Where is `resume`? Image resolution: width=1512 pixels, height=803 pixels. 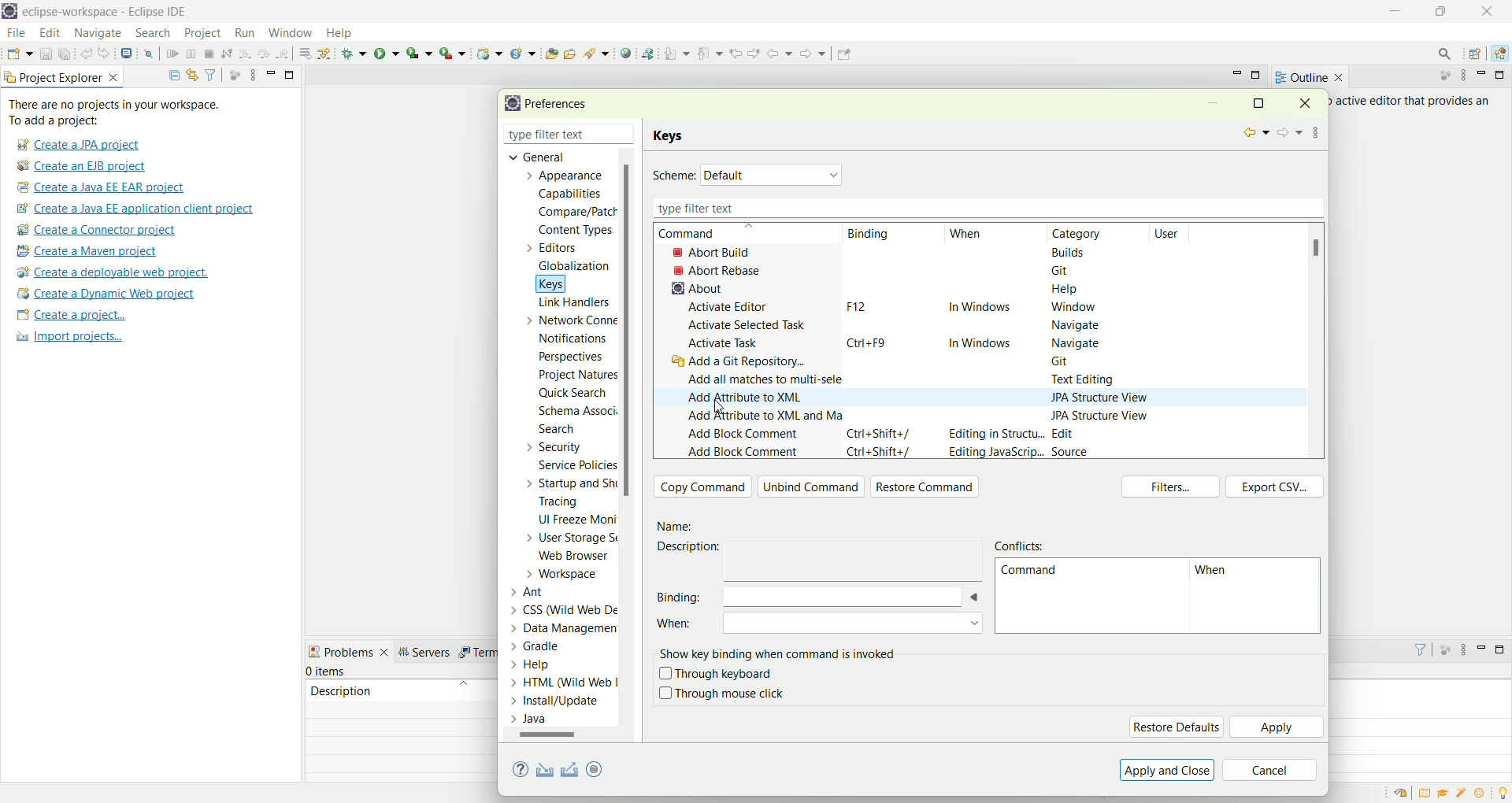 resume is located at coordinates (173, 55).